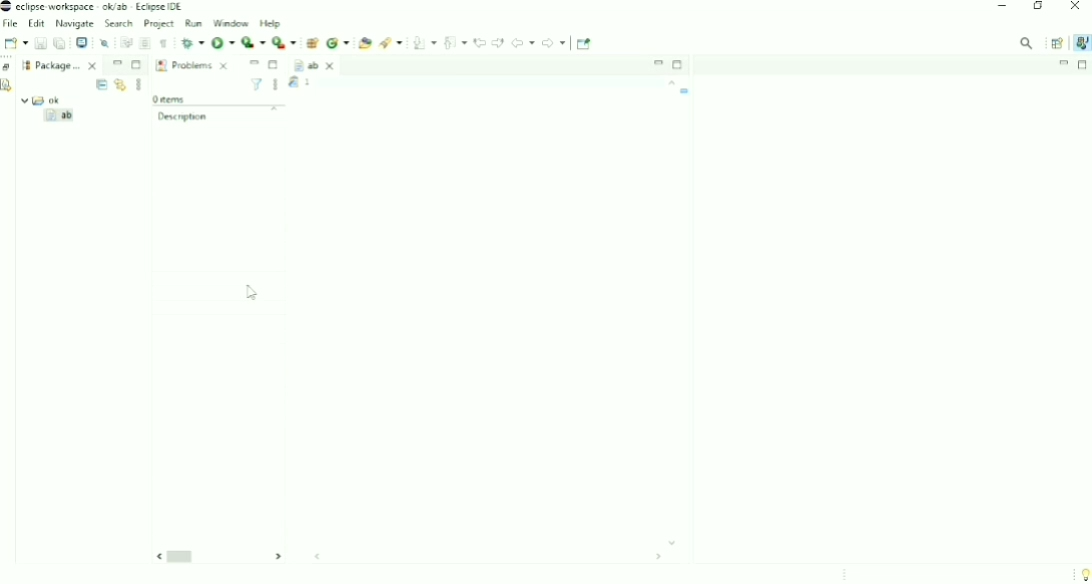  Describe the element at coordinates (554, 43) in the screenshot. I see `Forward` at that location.